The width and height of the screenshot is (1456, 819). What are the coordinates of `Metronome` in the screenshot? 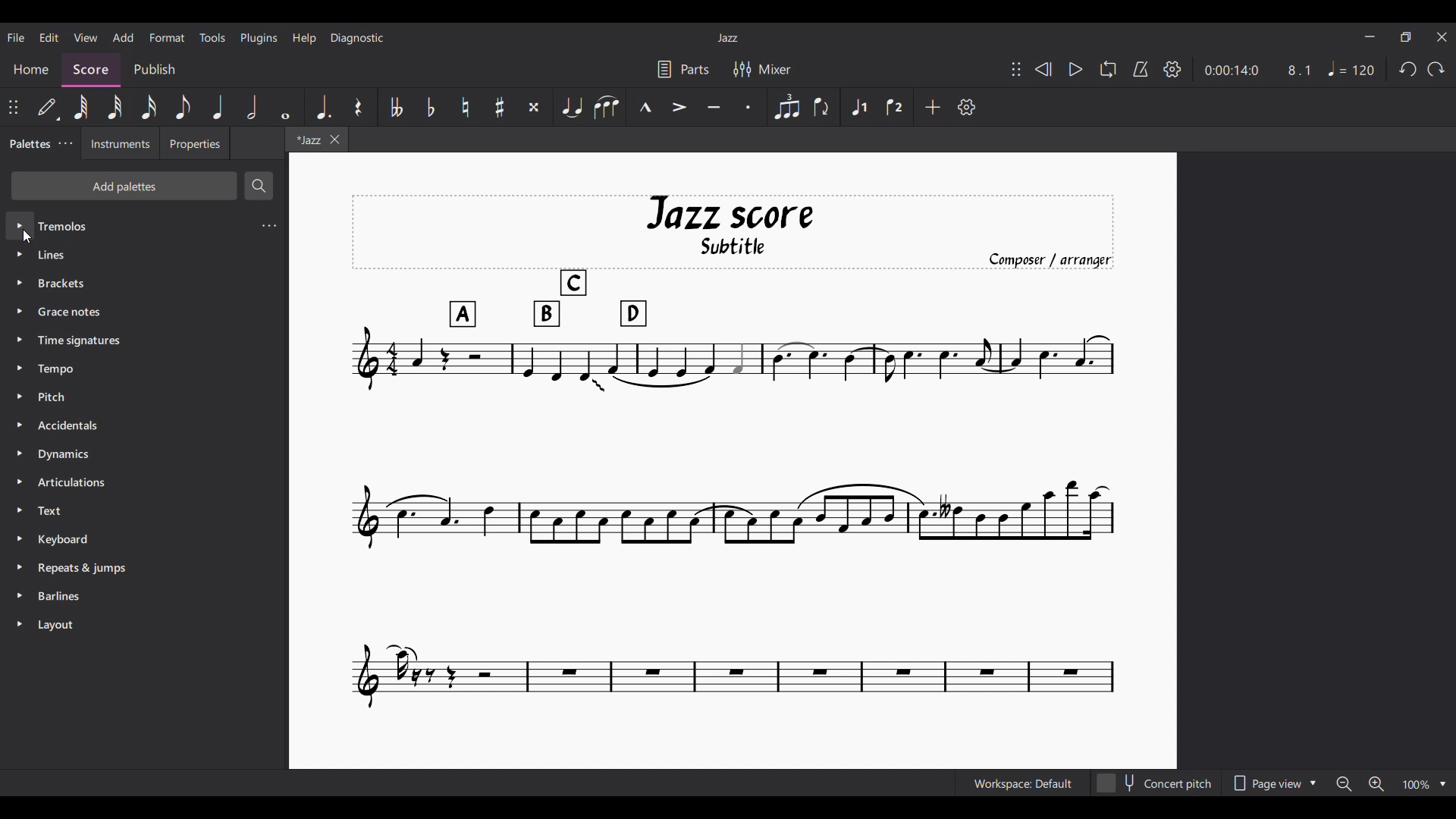 It's located at (1141, 69).